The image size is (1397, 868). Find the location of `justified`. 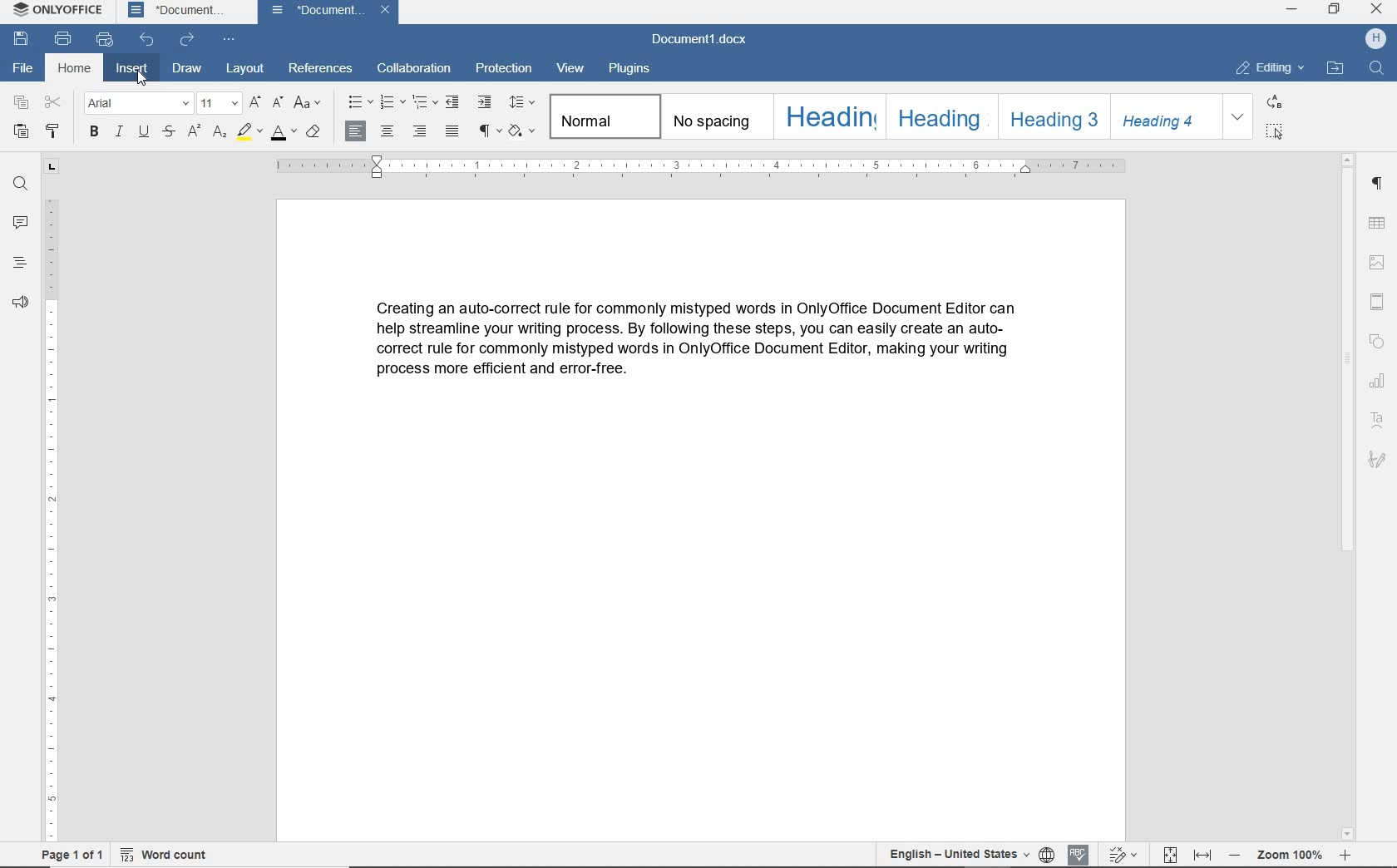

justified is located at coordinates (452, 131).